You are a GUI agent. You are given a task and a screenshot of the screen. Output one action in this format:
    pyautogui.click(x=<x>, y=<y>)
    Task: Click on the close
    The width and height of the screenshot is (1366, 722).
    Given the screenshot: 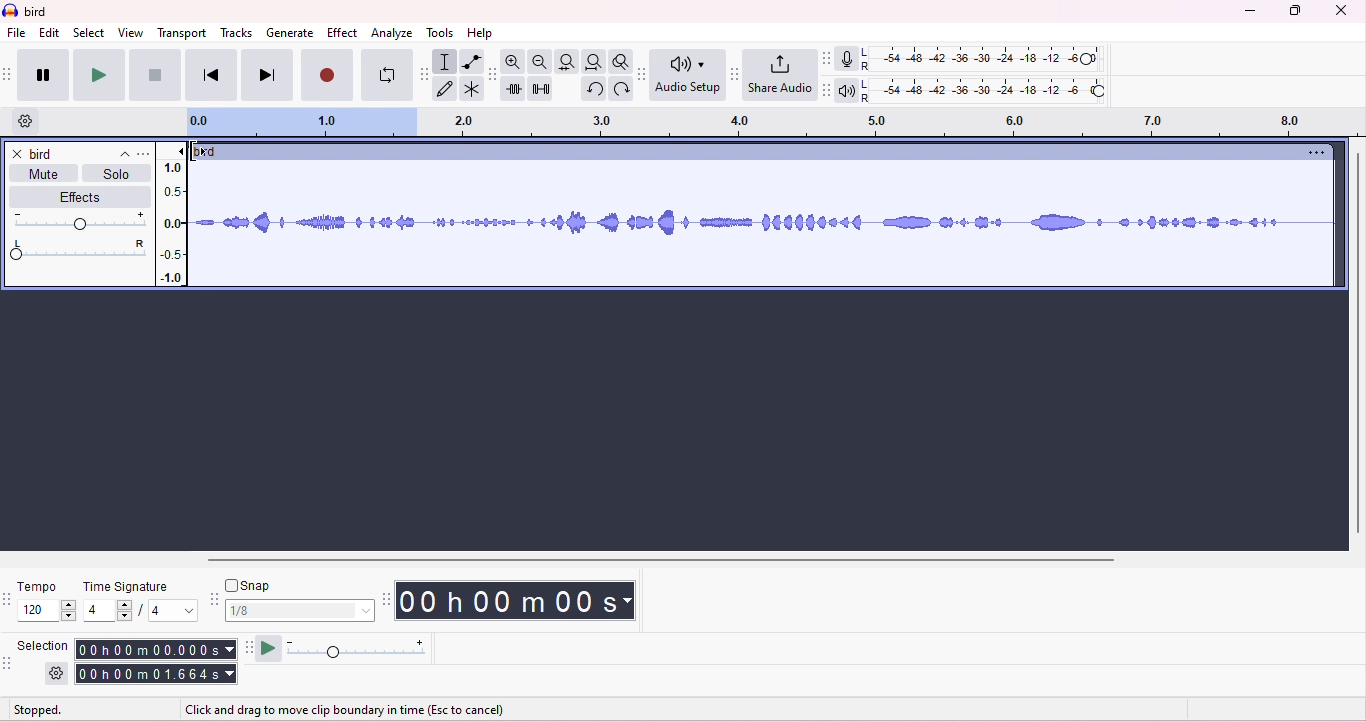 What is the action you would take?
    pyautogui.click(x=1342, y=11)
    